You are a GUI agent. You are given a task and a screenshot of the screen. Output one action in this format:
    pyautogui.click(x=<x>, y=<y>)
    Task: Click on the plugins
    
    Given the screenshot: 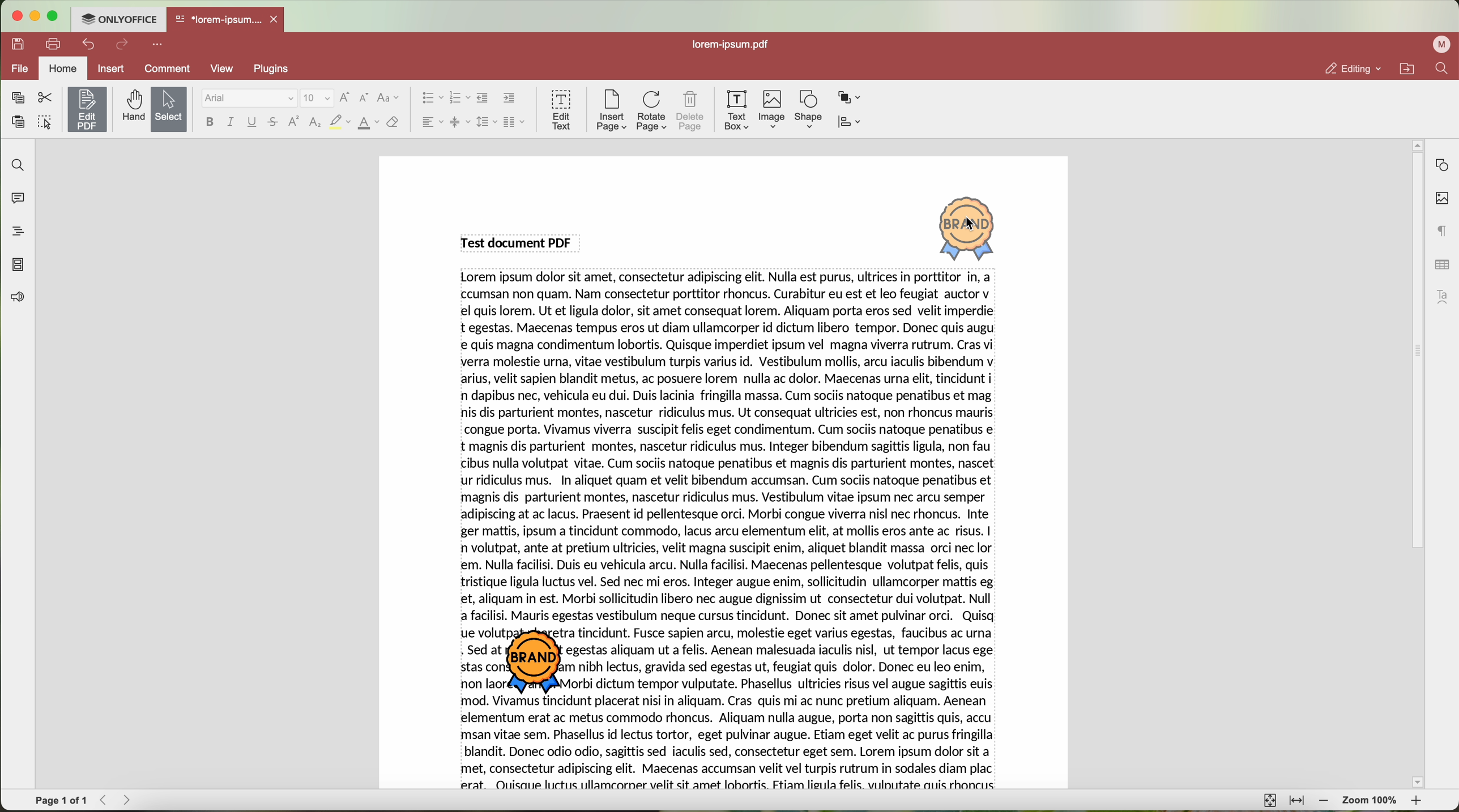 What is the action you would take?
    pyautogui.click(x=278, y=69)
    